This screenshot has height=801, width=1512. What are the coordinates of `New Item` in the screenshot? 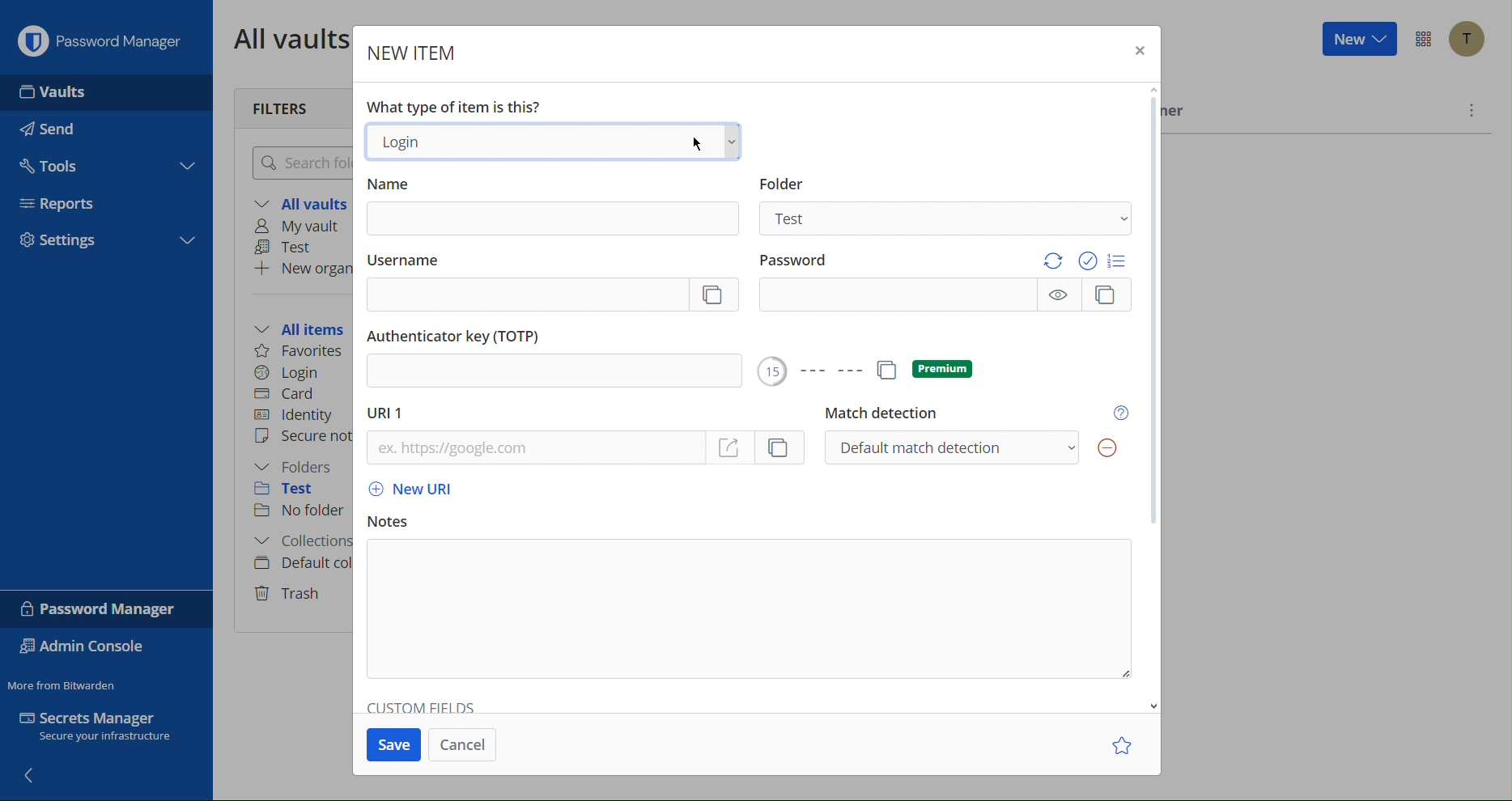 It's located at (413, 52).